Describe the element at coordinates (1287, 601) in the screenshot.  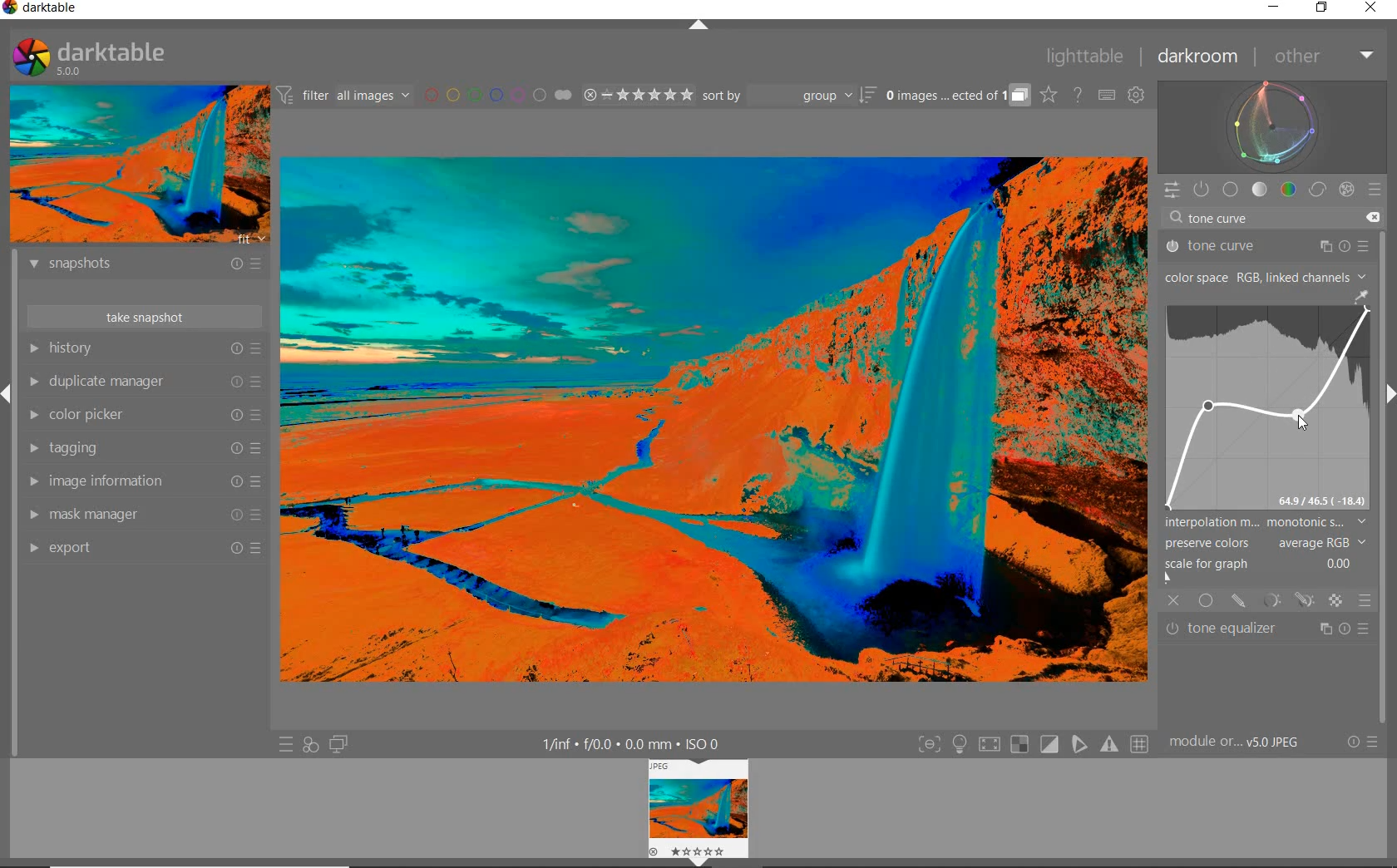
I see `MASK OPTIONS` at that location.